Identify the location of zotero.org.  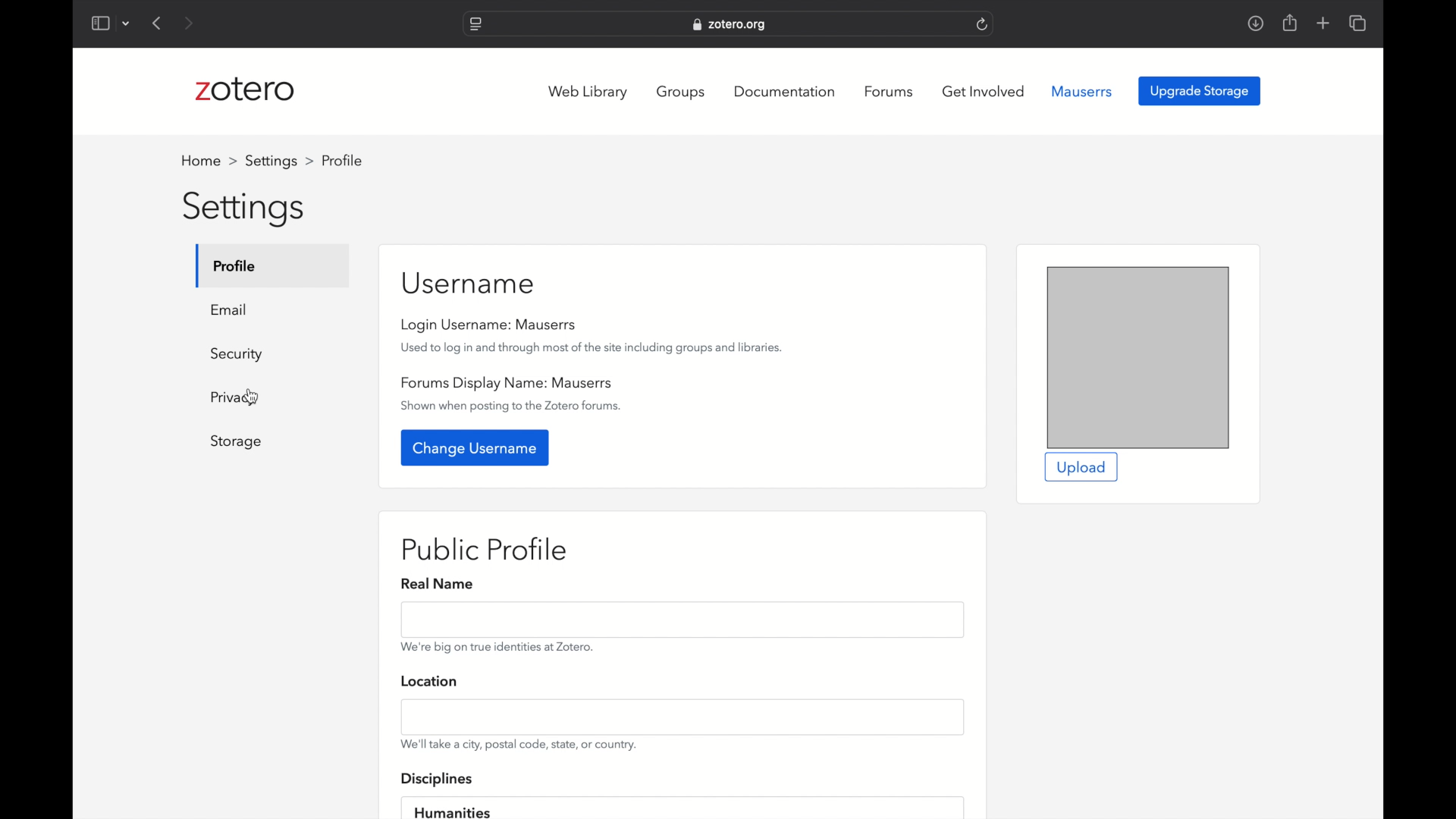
(731, 25).